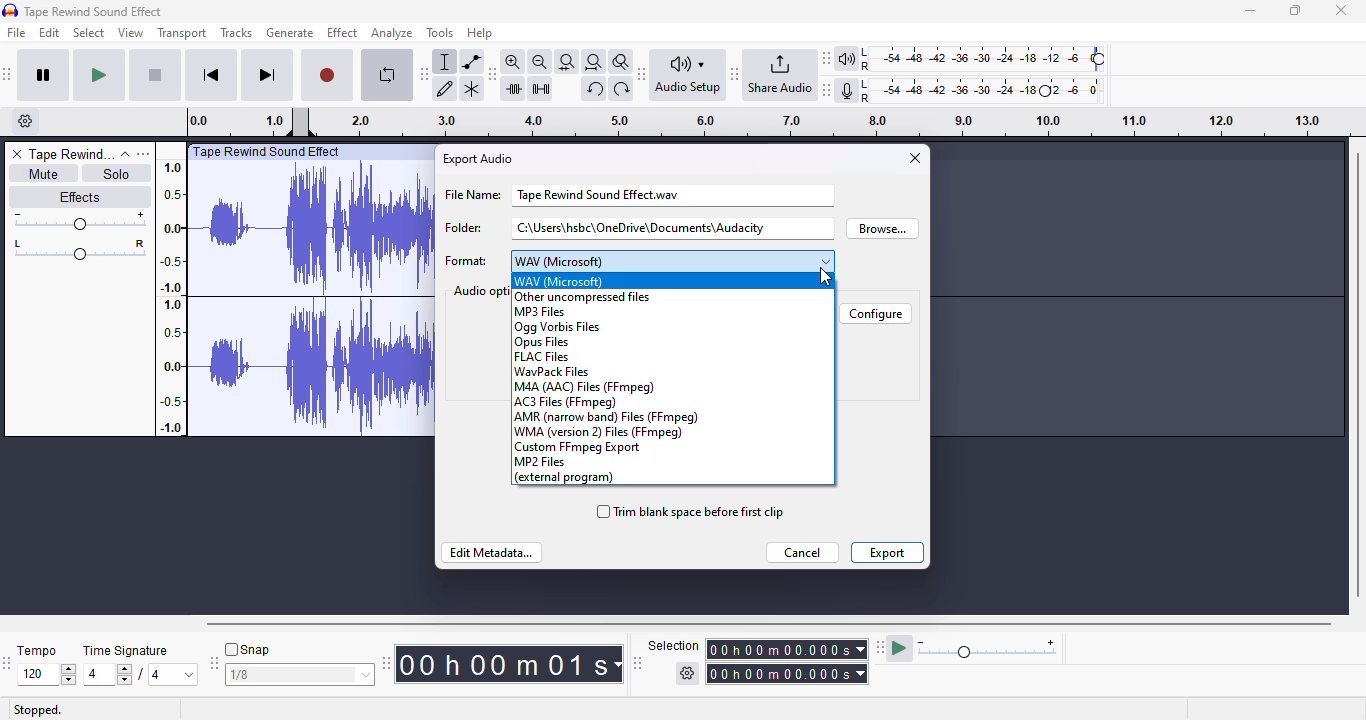 The width and height of the screenshot is (1366, 720). I want to click on MP3 Files, so click(539, 312).